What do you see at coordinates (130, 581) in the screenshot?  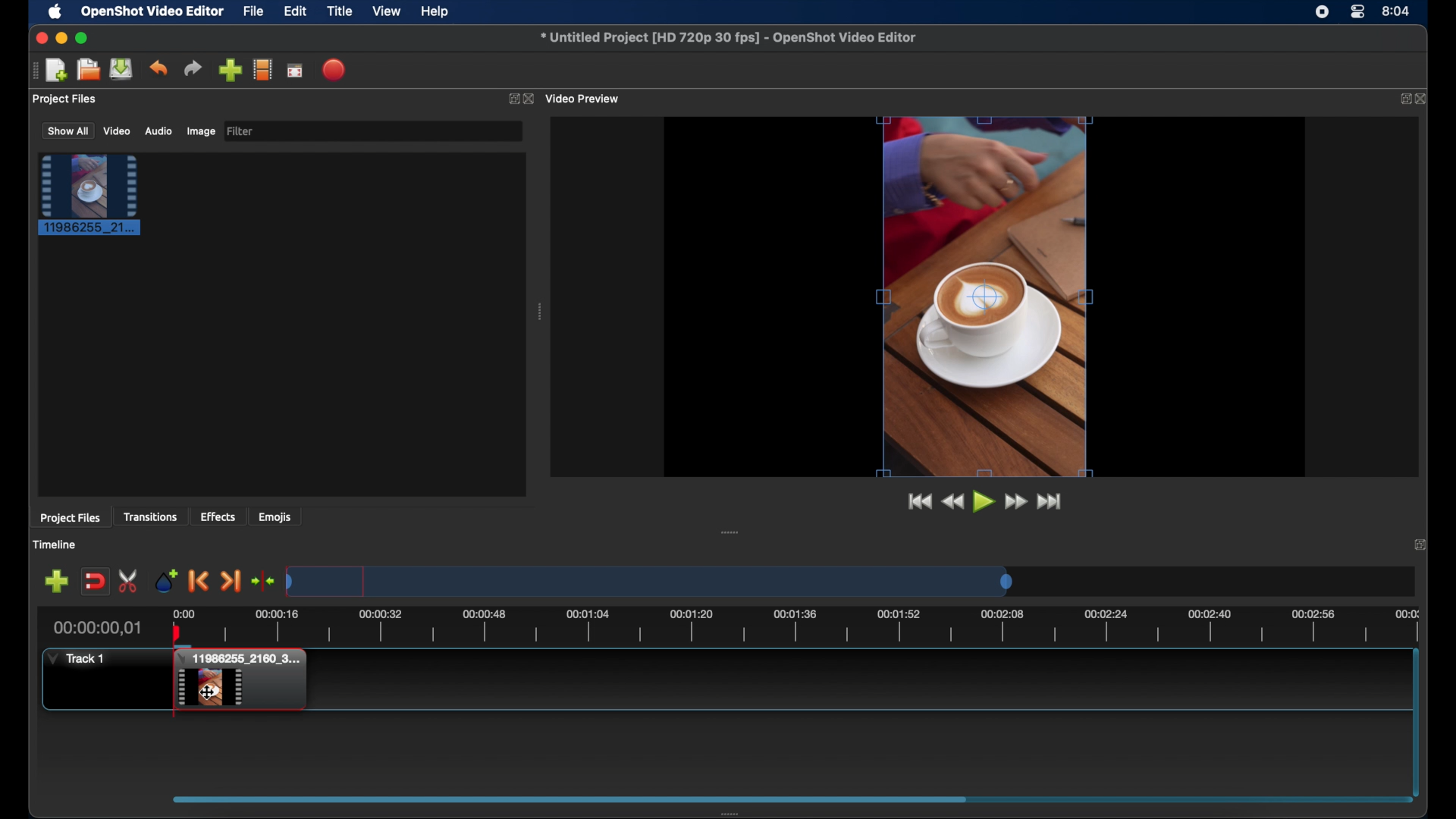 I see `enable razor` at bounding box center [130, 581].